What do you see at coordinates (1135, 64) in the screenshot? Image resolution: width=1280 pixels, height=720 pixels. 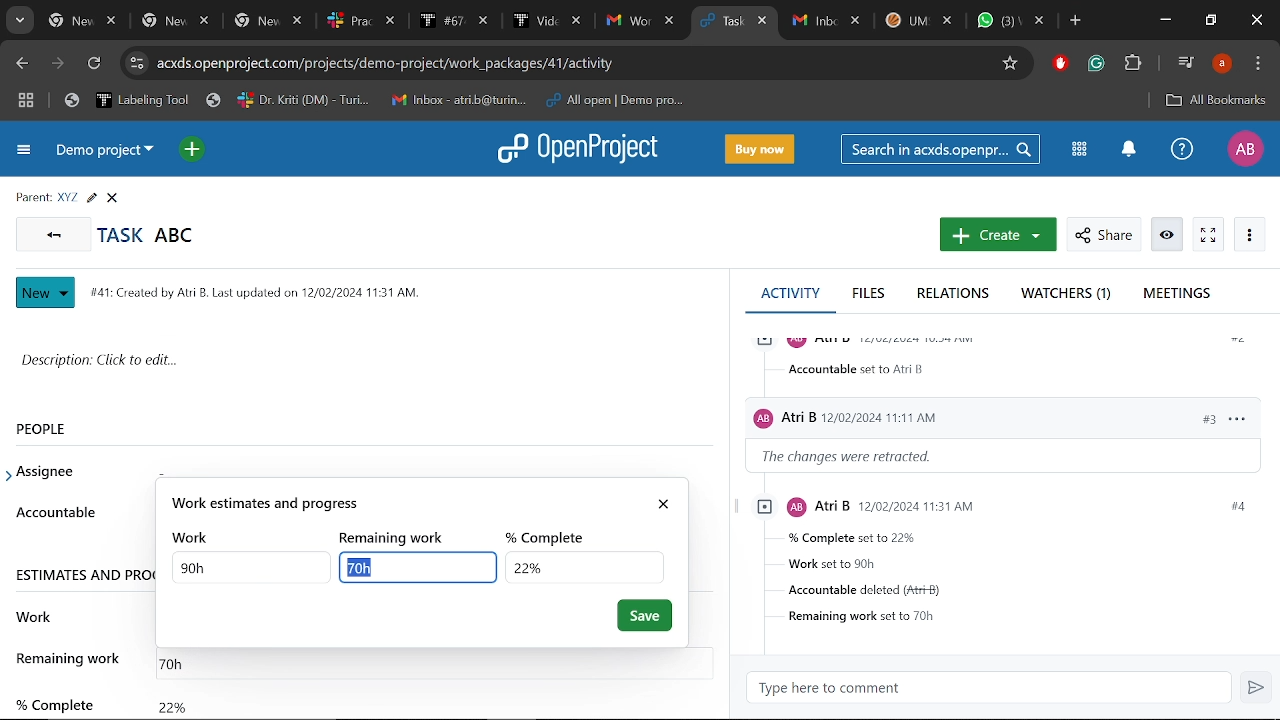 I see `Extensions` at bounding box center [1135, 64].